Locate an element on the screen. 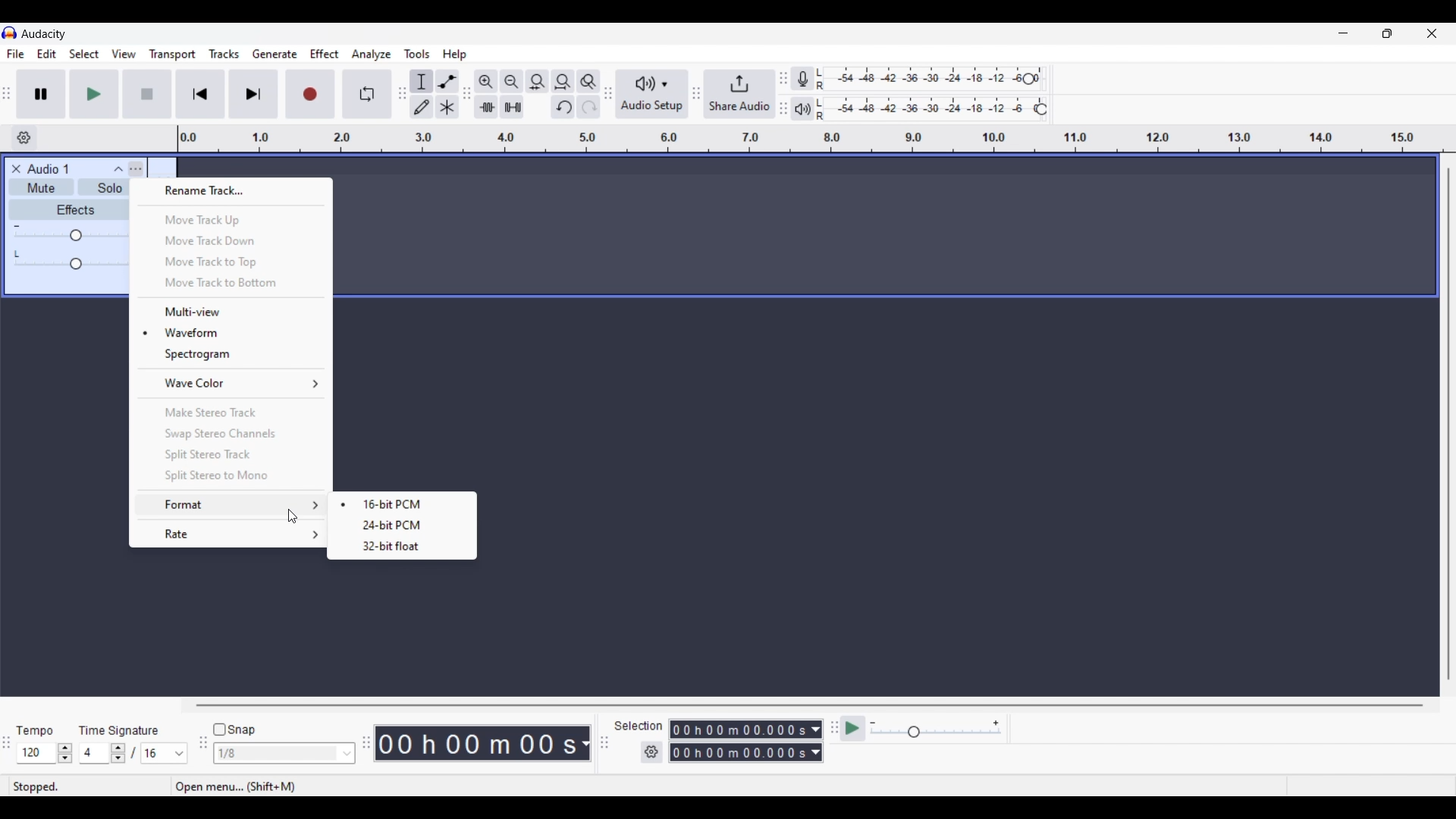 The image size is (1456, 819). Selected time signature is located at coordinates (156, 754).